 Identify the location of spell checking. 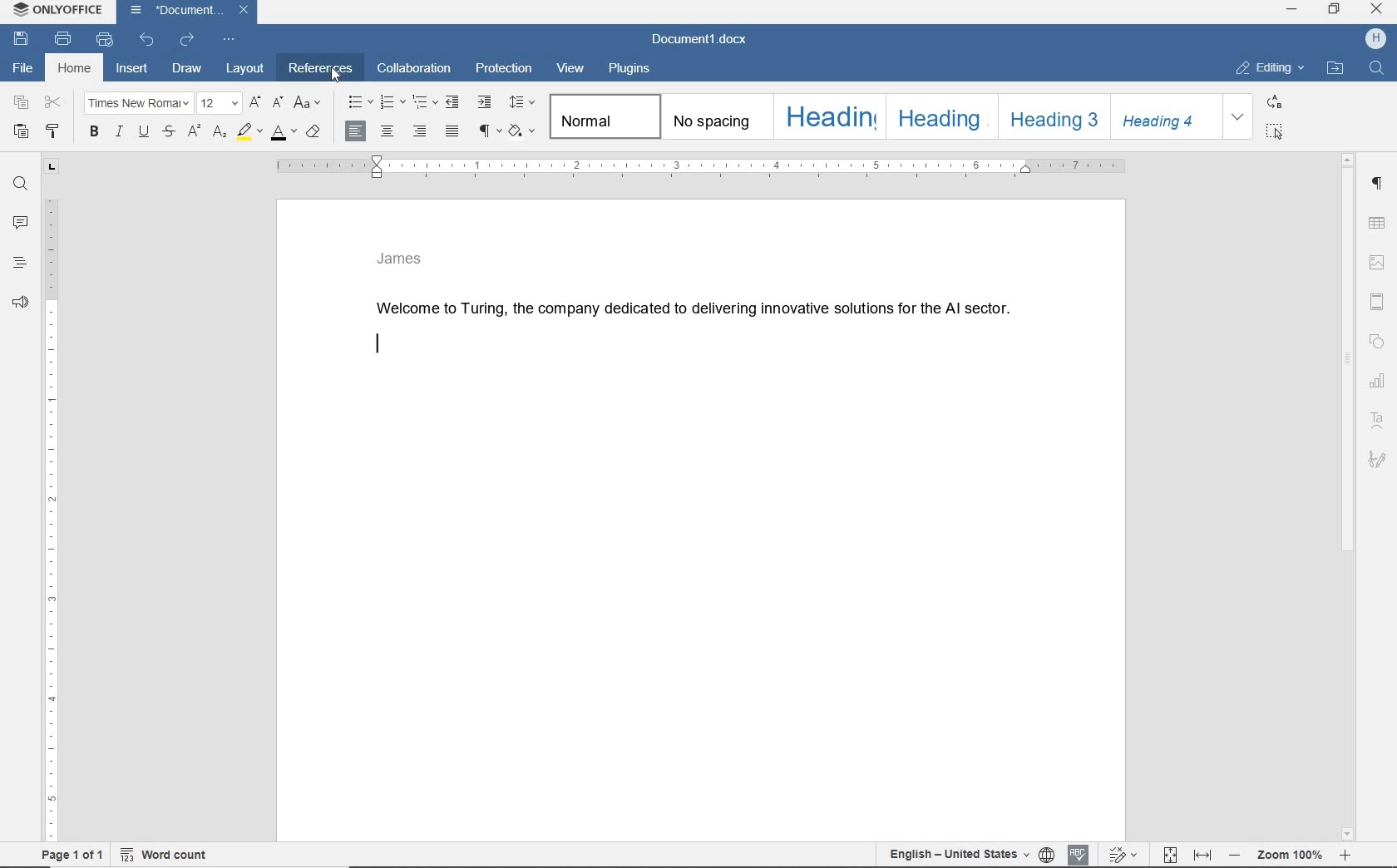
(1079, 854).